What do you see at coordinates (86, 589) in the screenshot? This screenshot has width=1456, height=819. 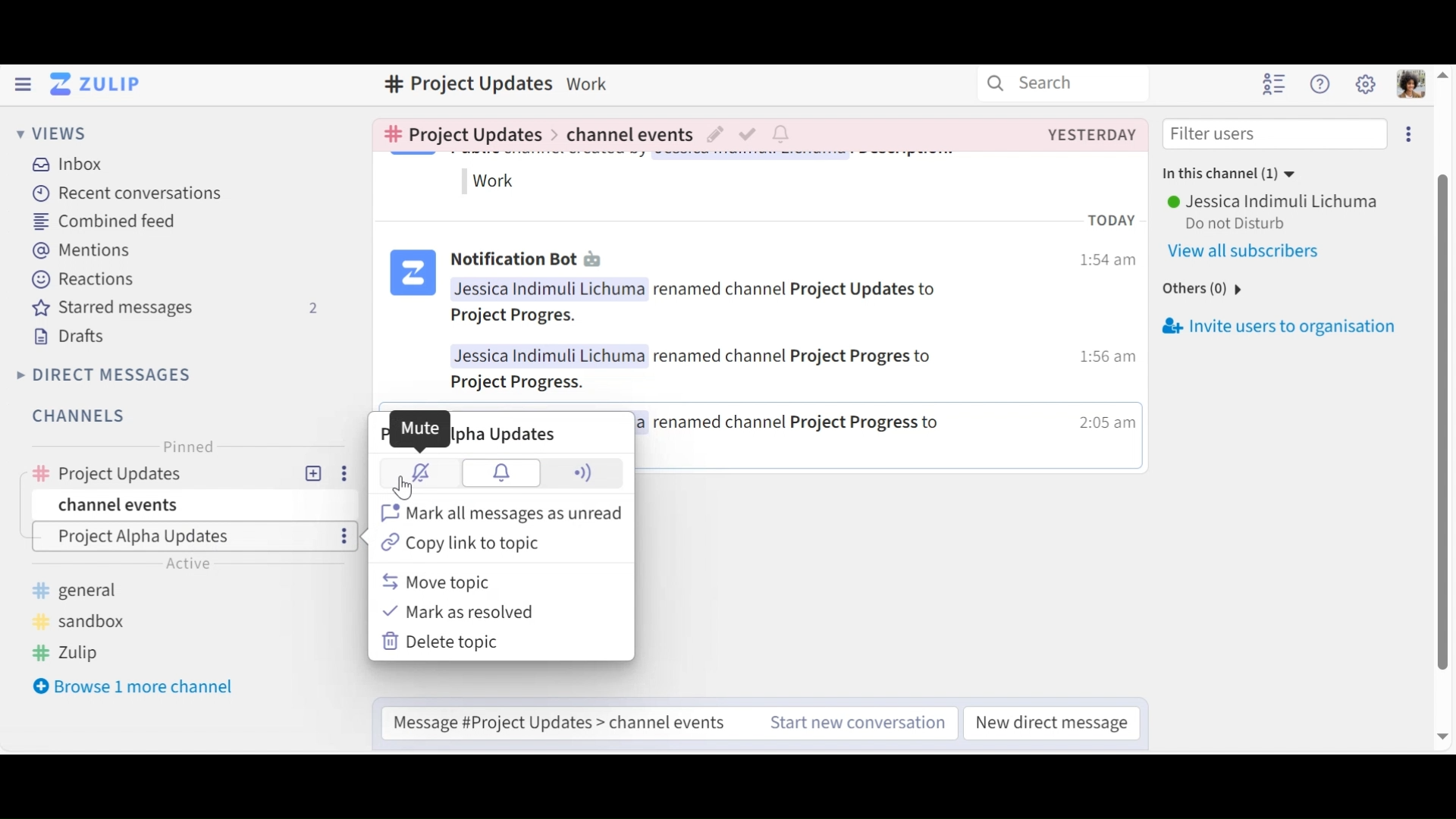 I see `general` at bounding box center [86, 589].